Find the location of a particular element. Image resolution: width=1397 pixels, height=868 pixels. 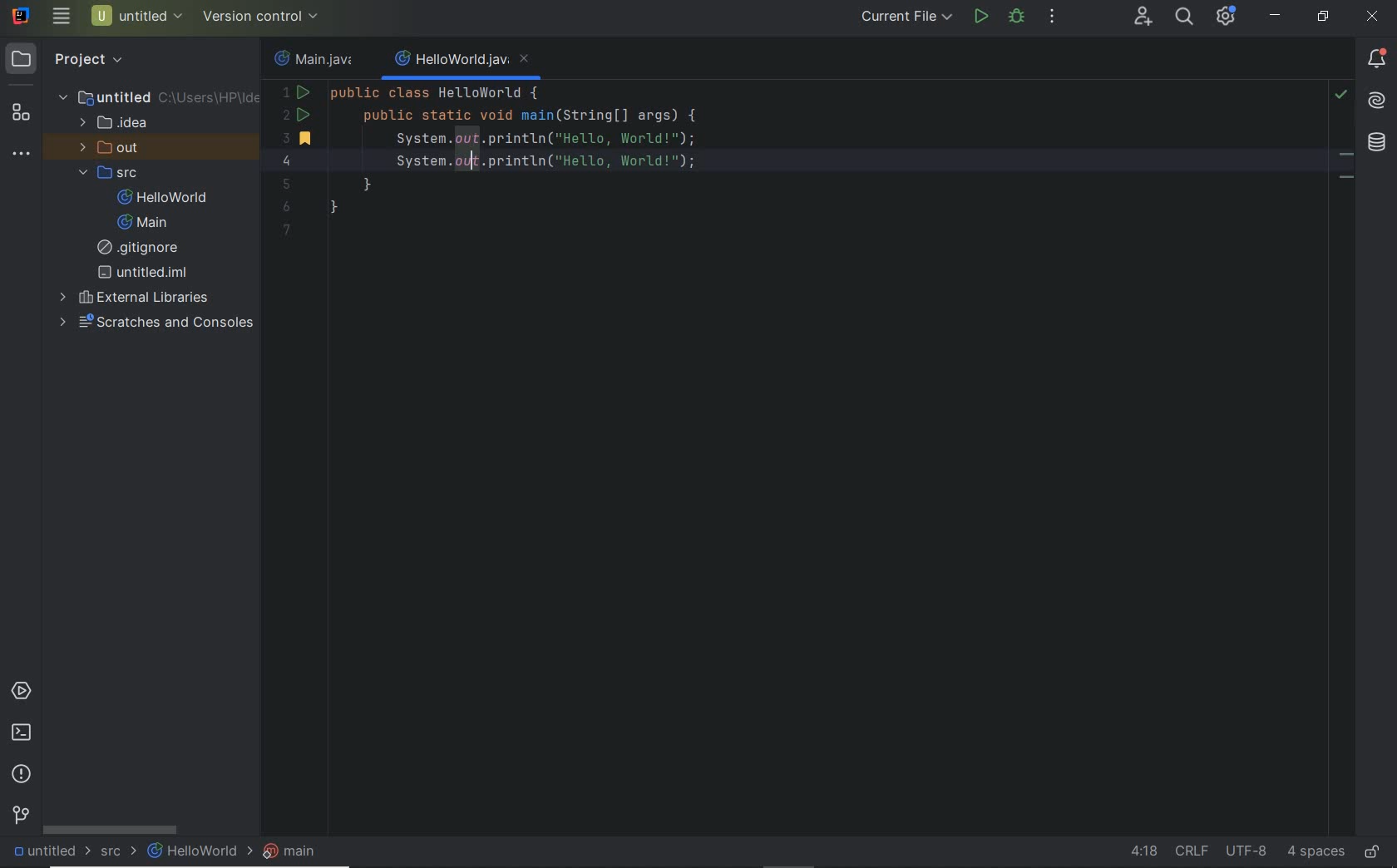

F11 to toggle is located at coordinates (1346, 159).